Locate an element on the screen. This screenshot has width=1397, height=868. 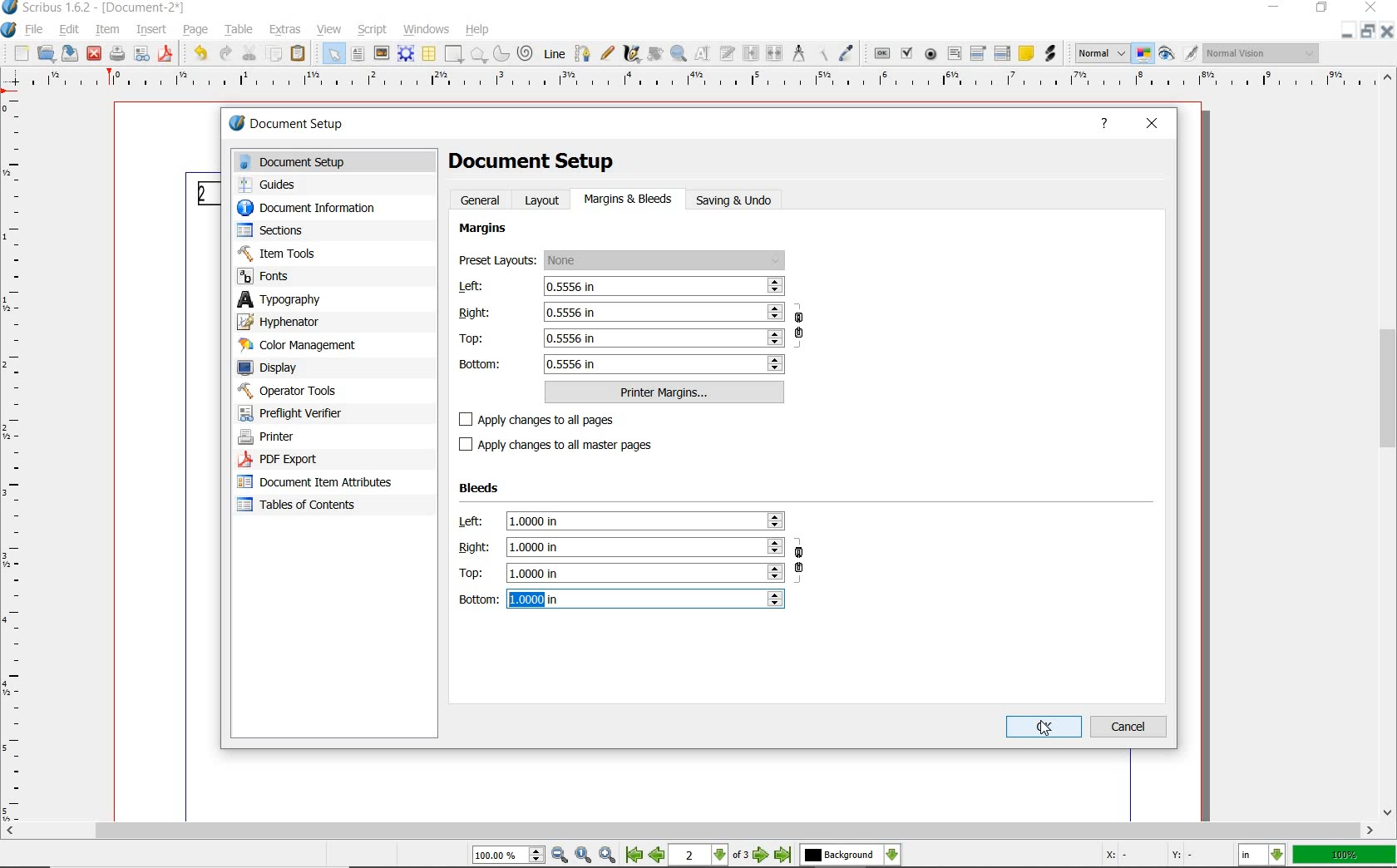
document setup is located at coordinates (338, 162).